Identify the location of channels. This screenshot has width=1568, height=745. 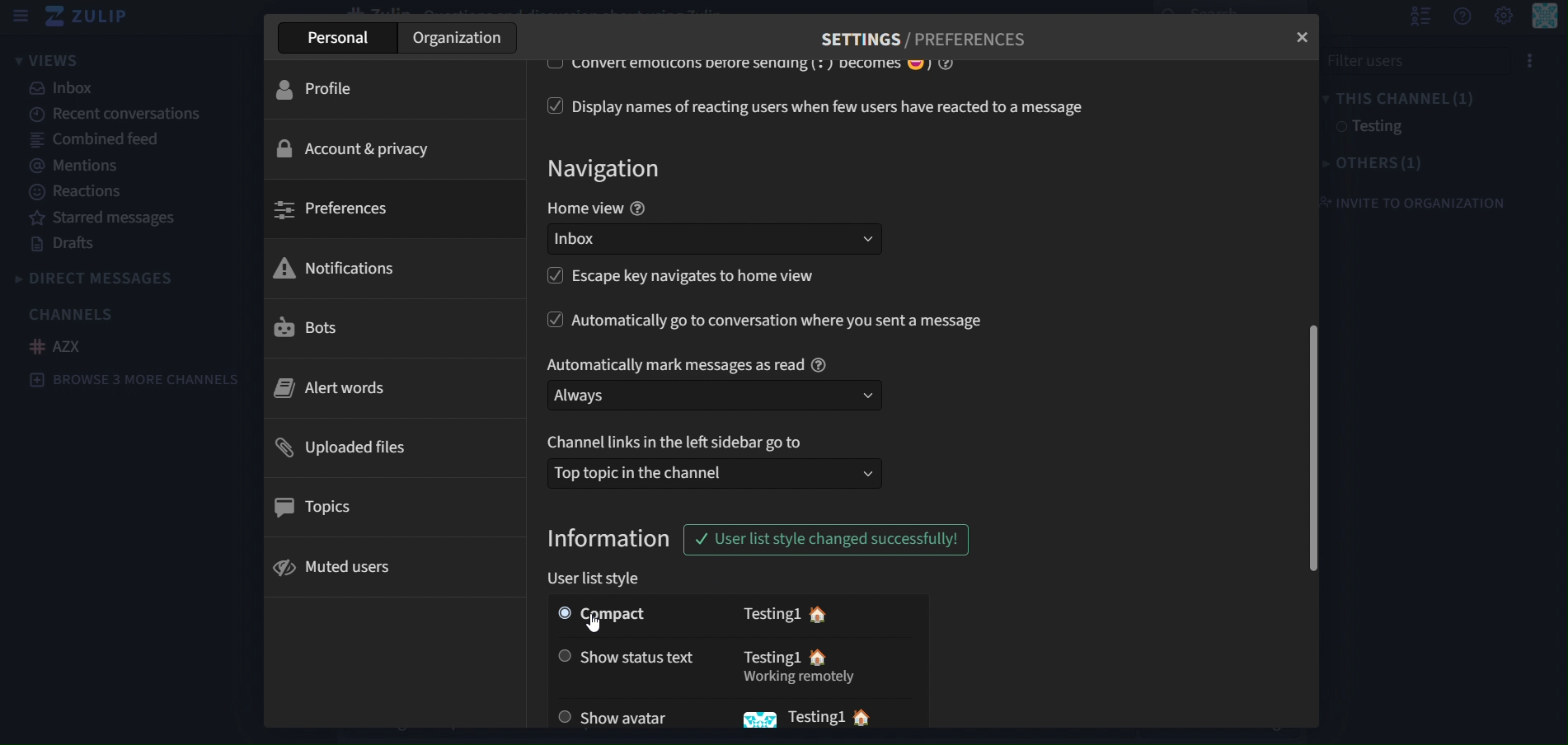
(73, 315).